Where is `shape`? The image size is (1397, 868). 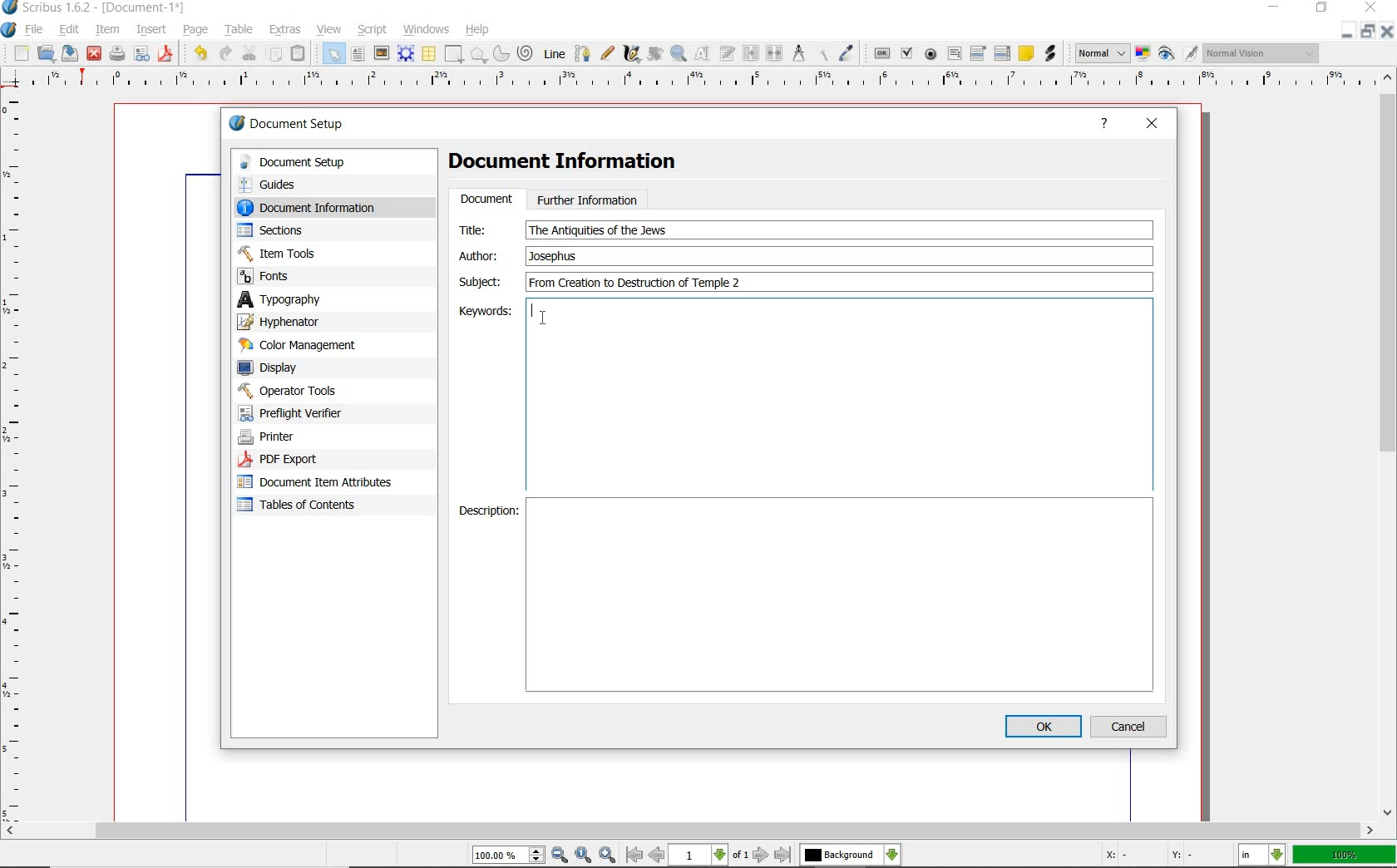 shape is located at coordinates (454, 53).